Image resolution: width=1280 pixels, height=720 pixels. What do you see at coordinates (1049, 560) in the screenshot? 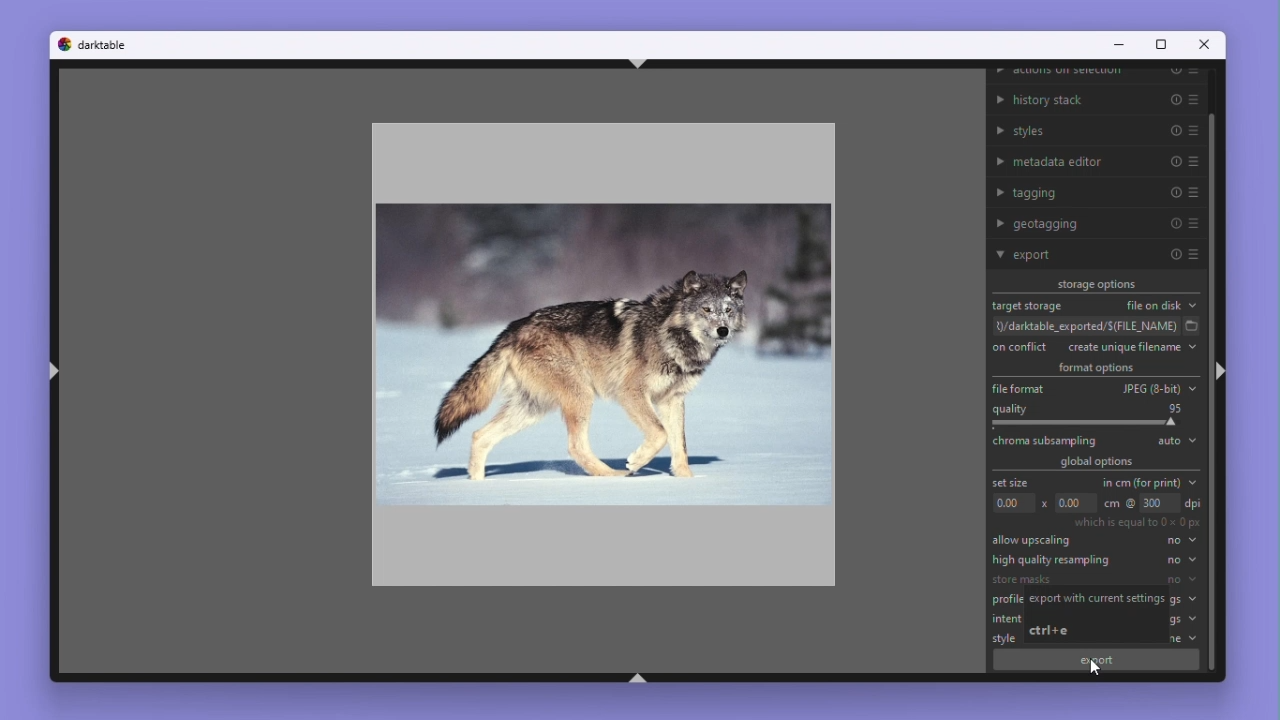
I see `High quality Re sampling` at bounding box center [1049, 560].